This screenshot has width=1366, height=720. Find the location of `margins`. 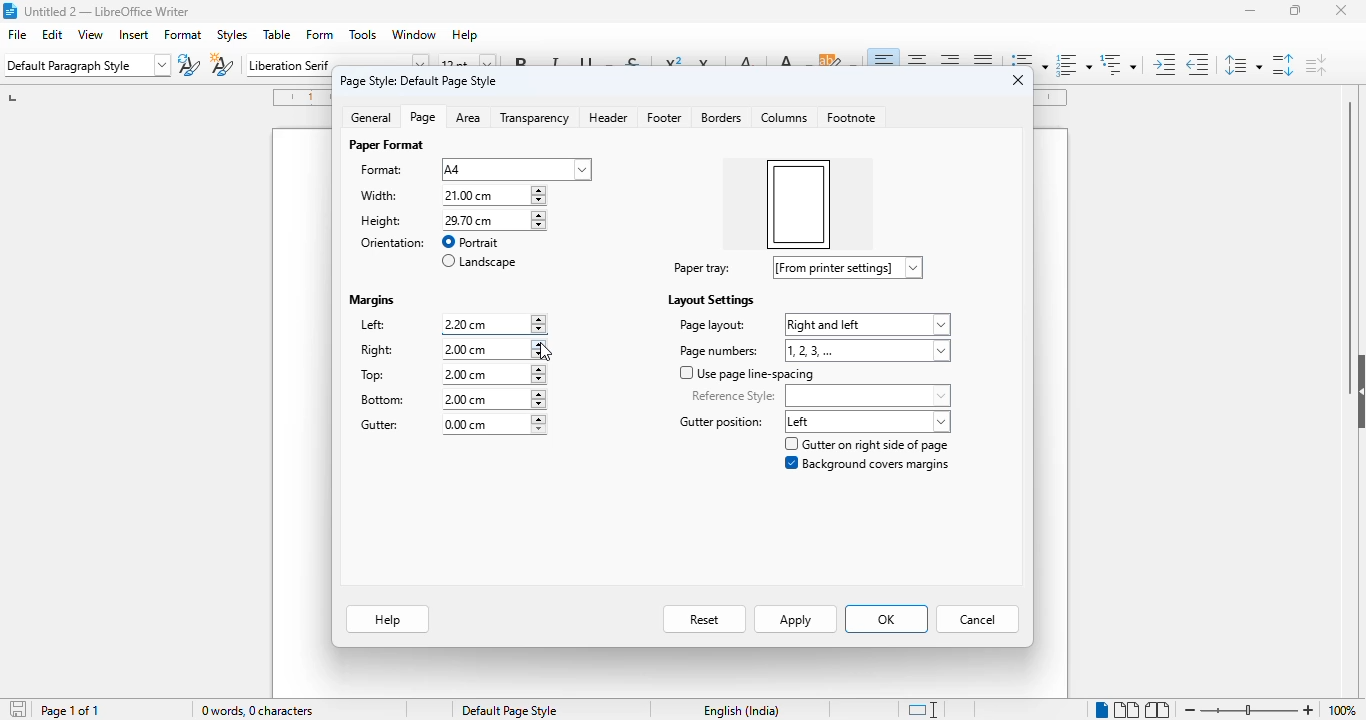

margins is located at coordinates (371, 300).